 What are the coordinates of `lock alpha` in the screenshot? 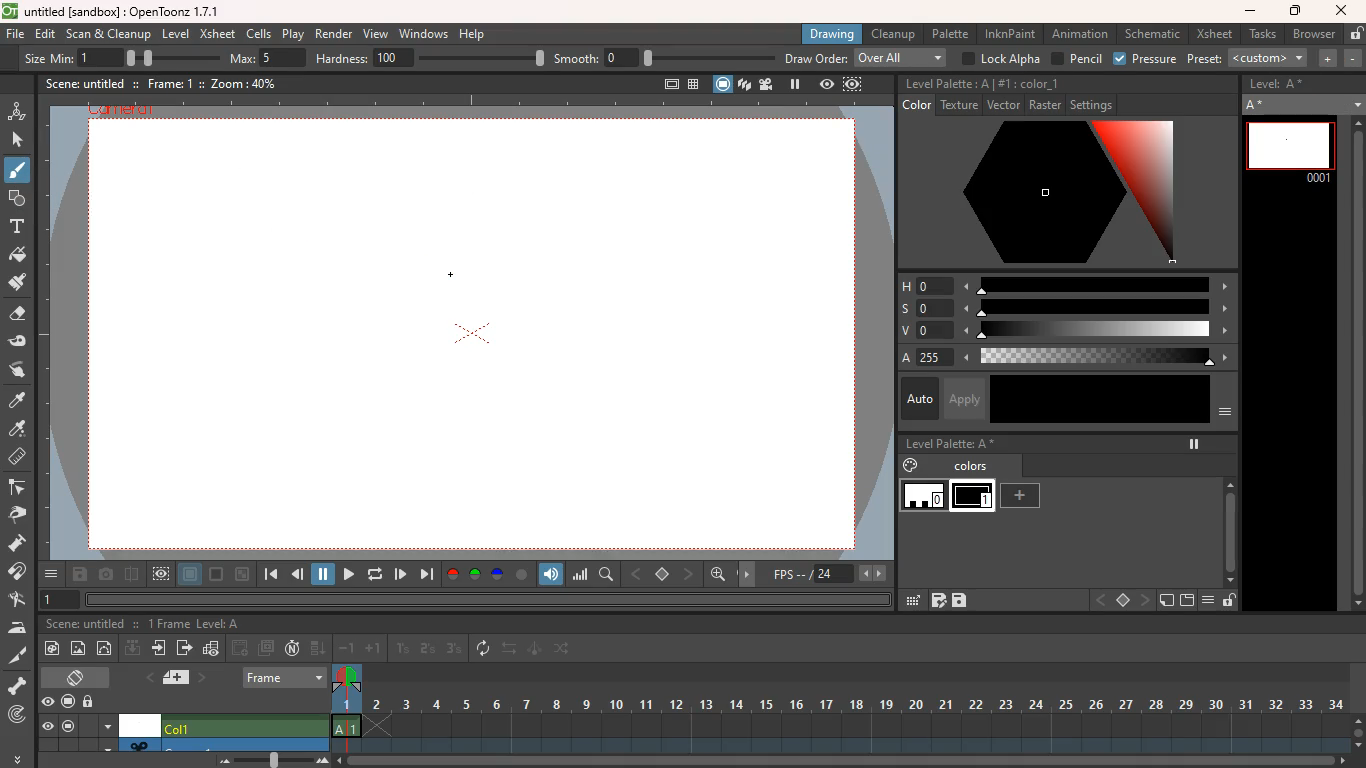 It's located at (1001, 58).